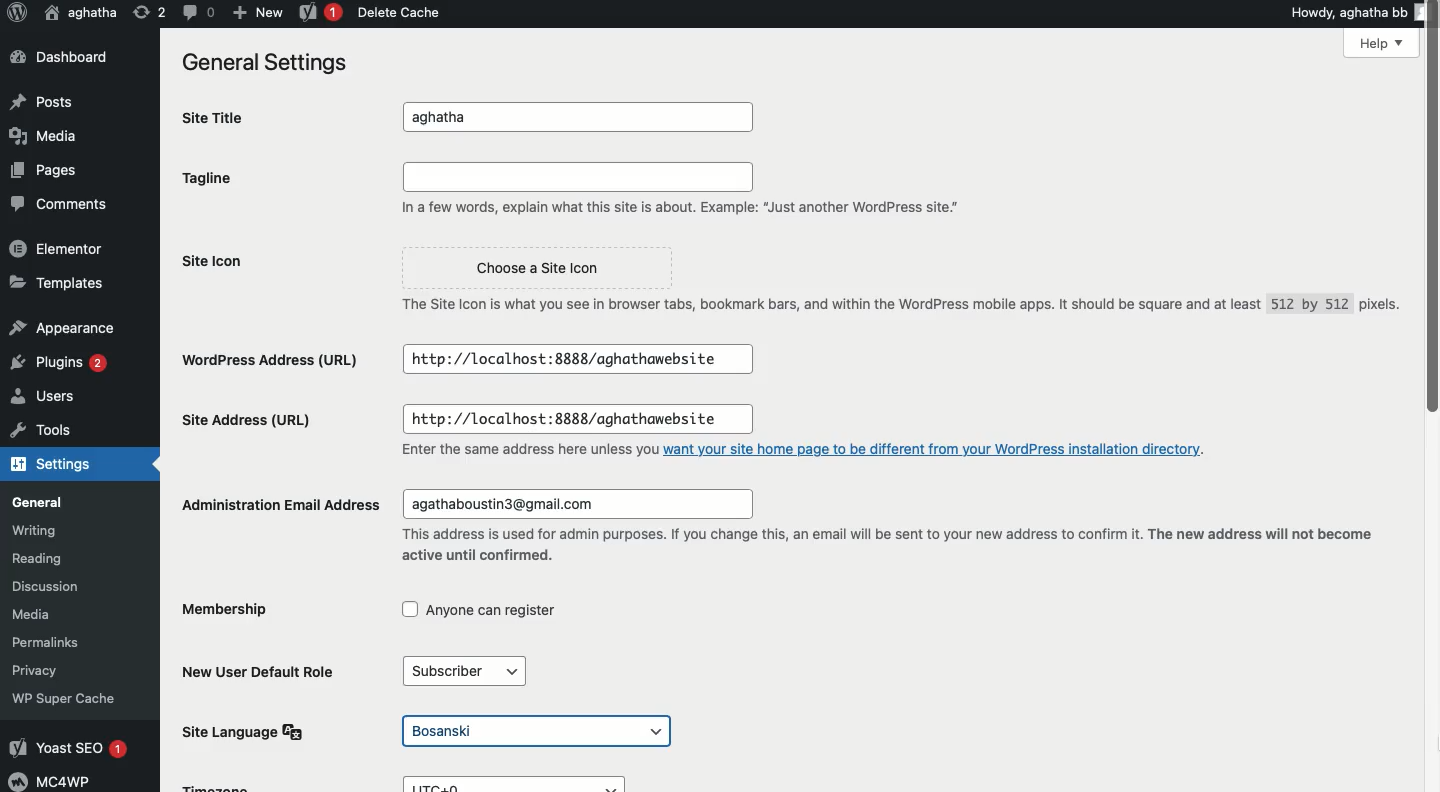 The width and height of the screenshot is (1440, 792). Describe the element at coordinates (60, 325) in the screenshot. I see `Appearance` at that location.